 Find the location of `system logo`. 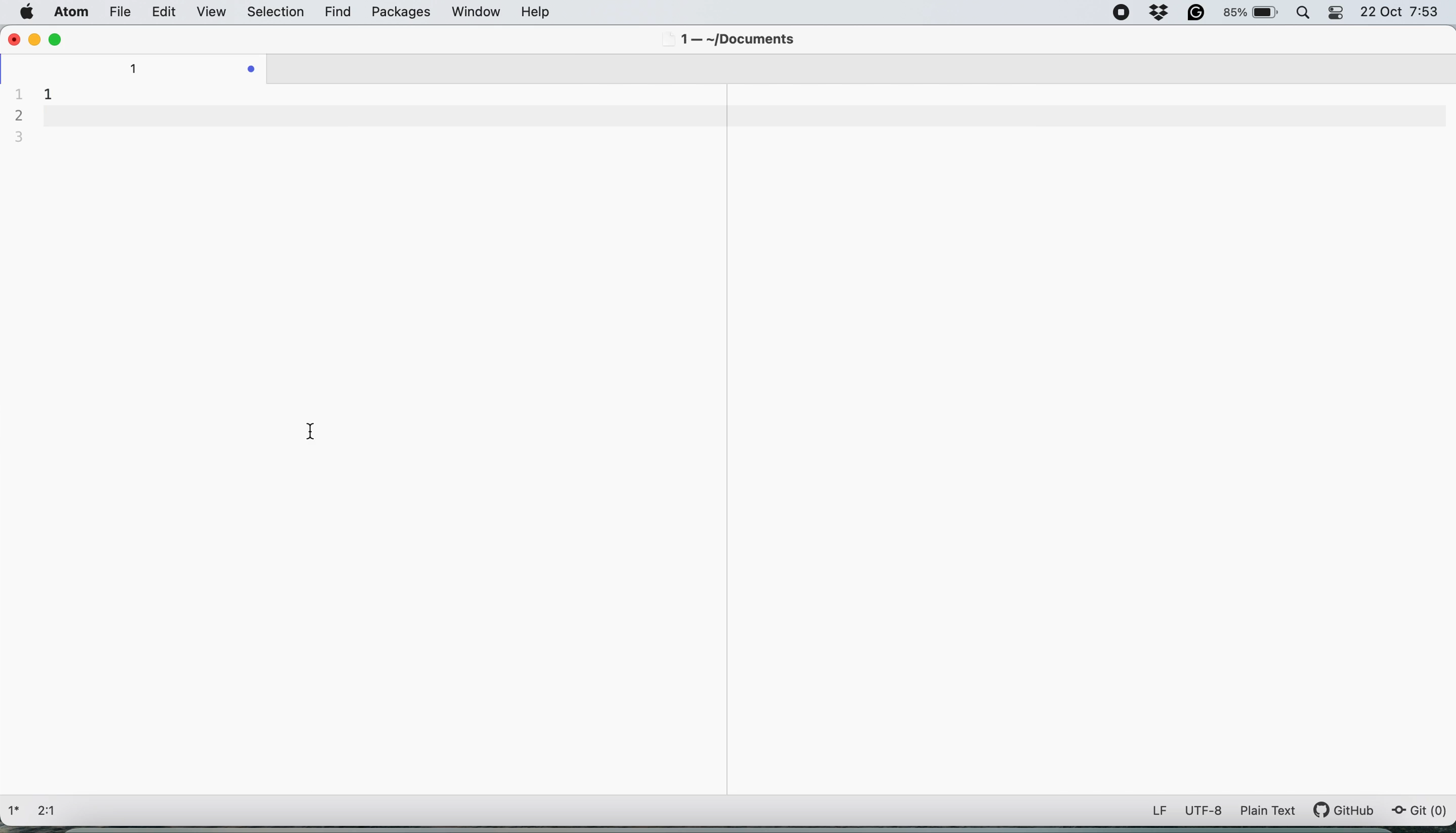

system logo is located at coordinates (29, 12).